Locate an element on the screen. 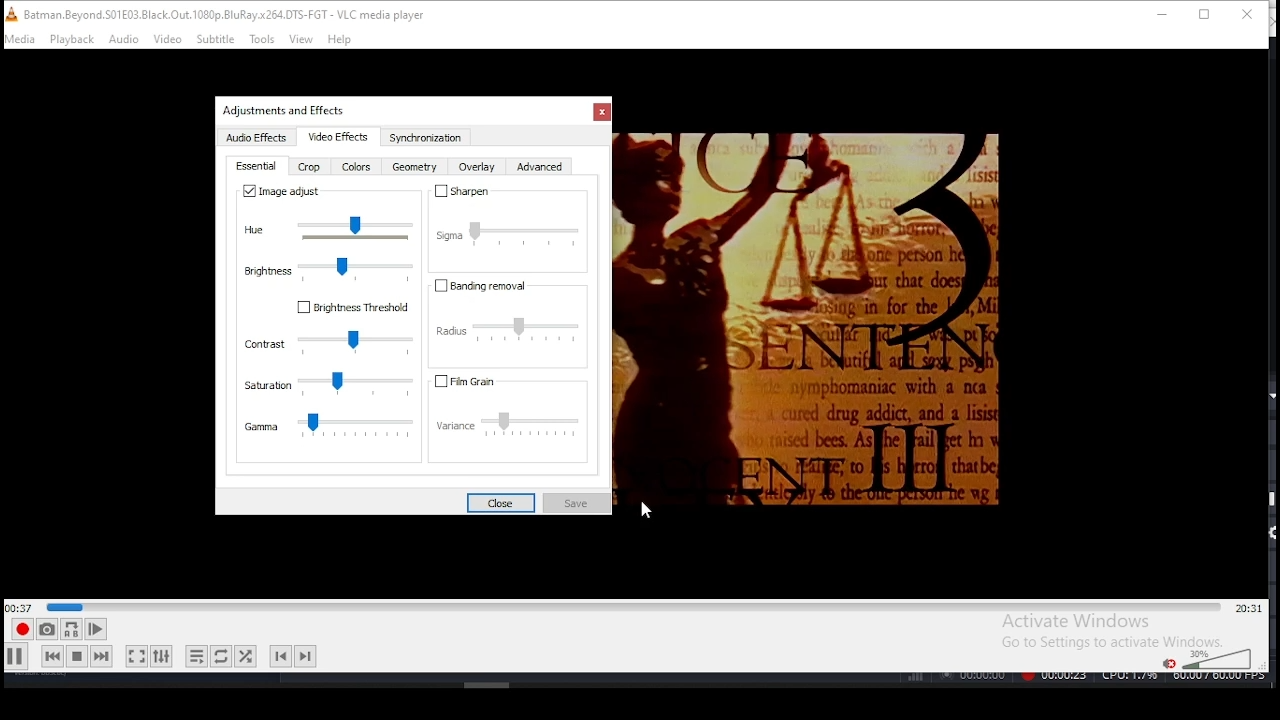 This screenshot has height=720, width=1280.  is located at coordinates (1084, 679).